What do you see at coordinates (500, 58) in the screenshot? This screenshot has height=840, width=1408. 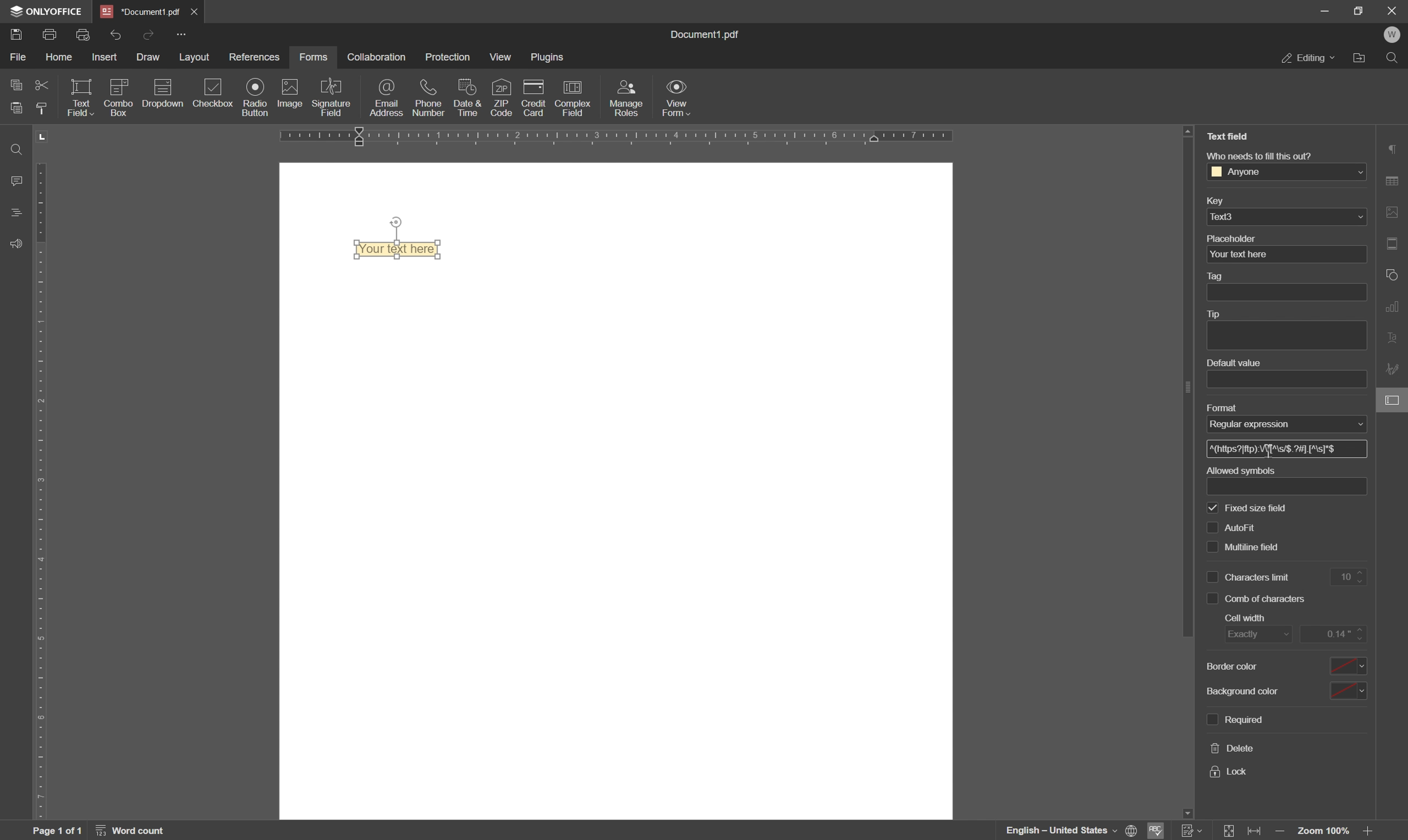 I see `view` at bounding box center [500, 58].